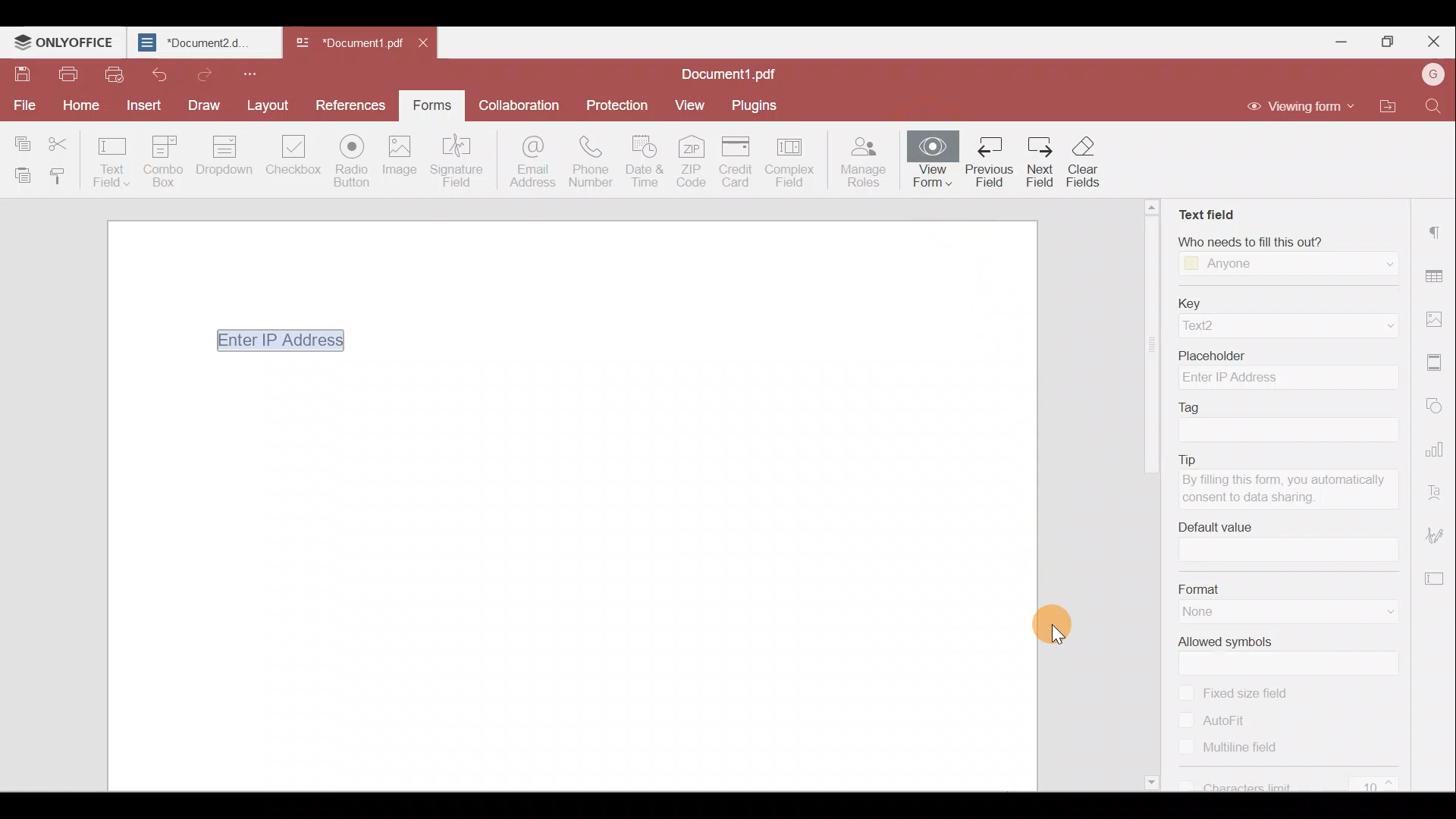  Describe the element at coordinates (1435, 318) in the screenshot. I see `Image settings` at that location.